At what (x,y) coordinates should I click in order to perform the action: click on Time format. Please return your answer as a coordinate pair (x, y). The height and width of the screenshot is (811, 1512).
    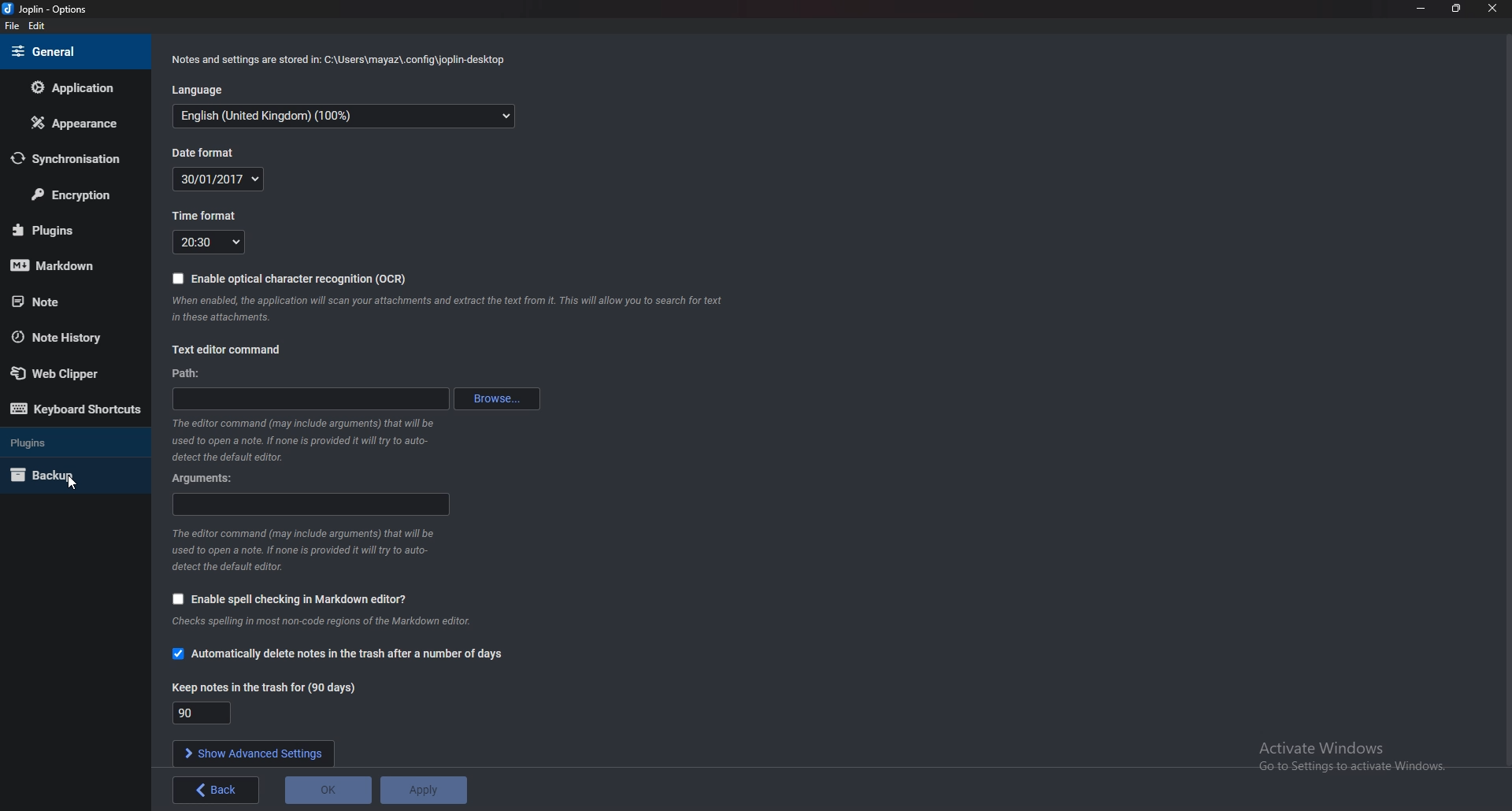
    Looking at the image, I should click on (208, 241).